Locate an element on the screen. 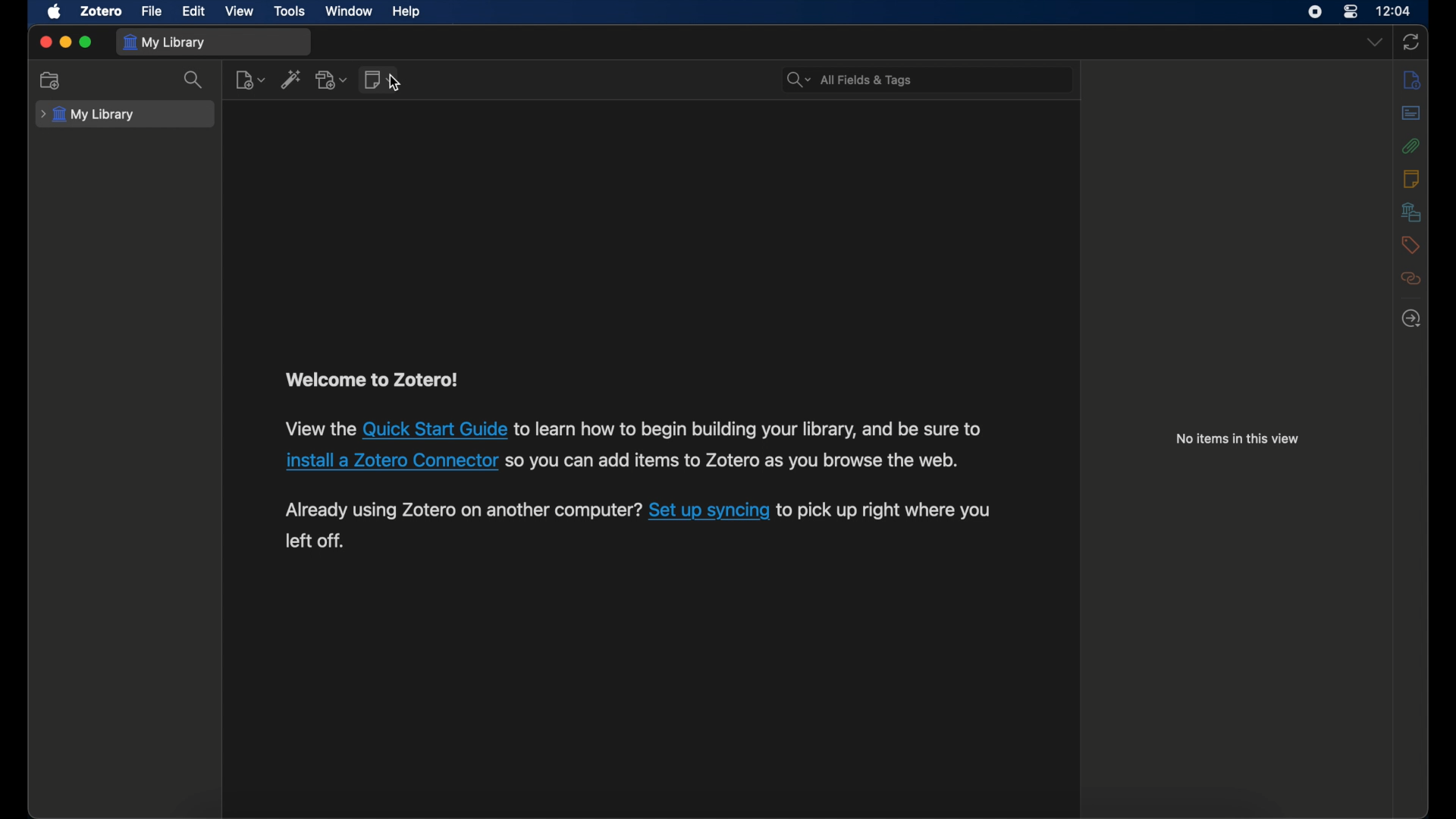 The height and width of the screenshot is (819, 1456). maximize is located at coordinates (86, 42).